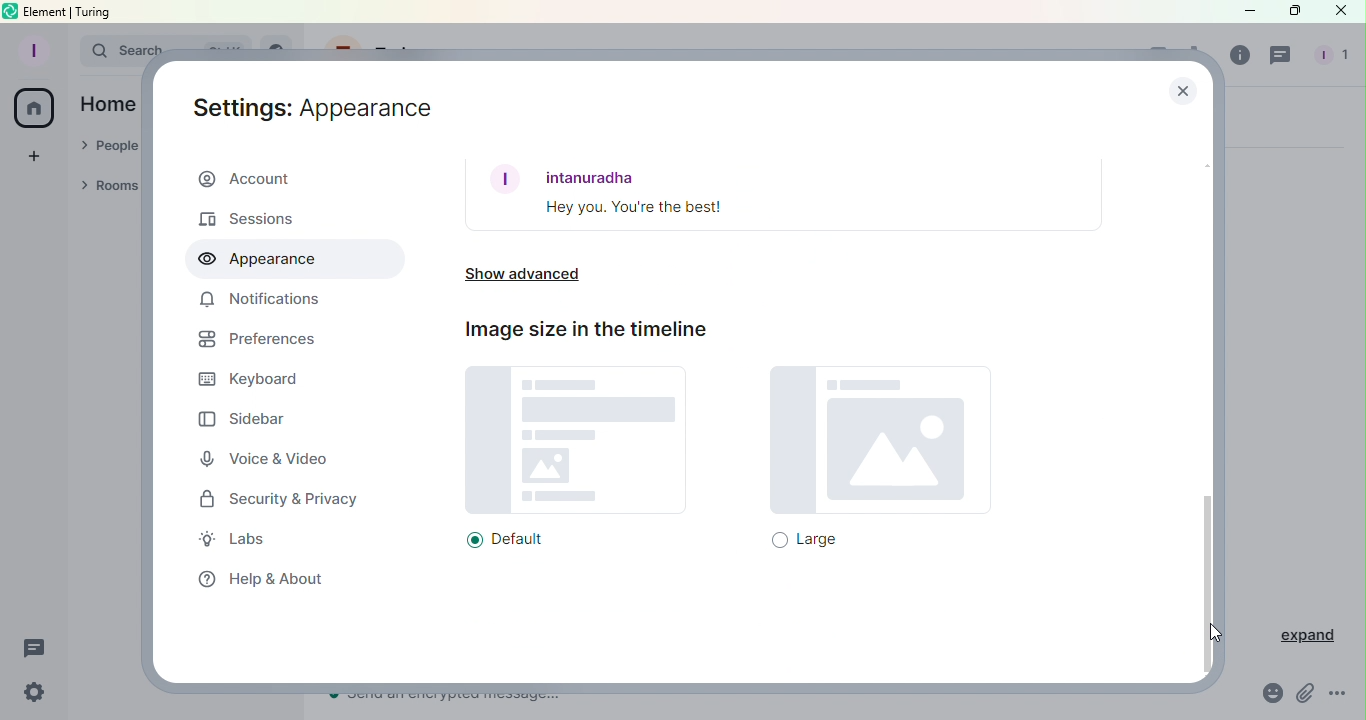 Image resolution: width=1366 pixels, height=720 pixels. I want to click on Notifications, so click(261, 303).